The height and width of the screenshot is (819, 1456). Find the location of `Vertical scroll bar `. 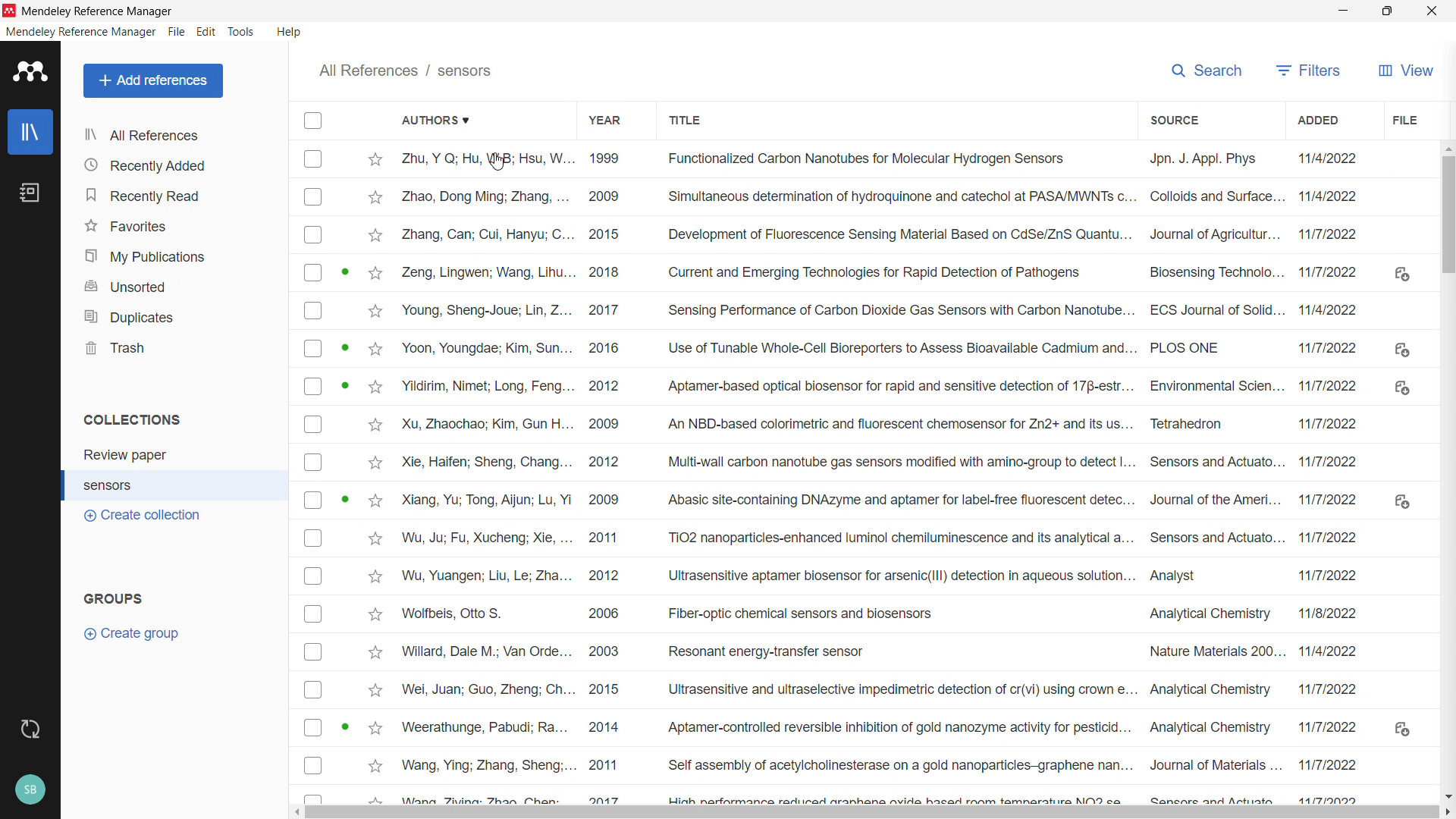

Vertical scroll bar  is located at coordinates (1449, 213).